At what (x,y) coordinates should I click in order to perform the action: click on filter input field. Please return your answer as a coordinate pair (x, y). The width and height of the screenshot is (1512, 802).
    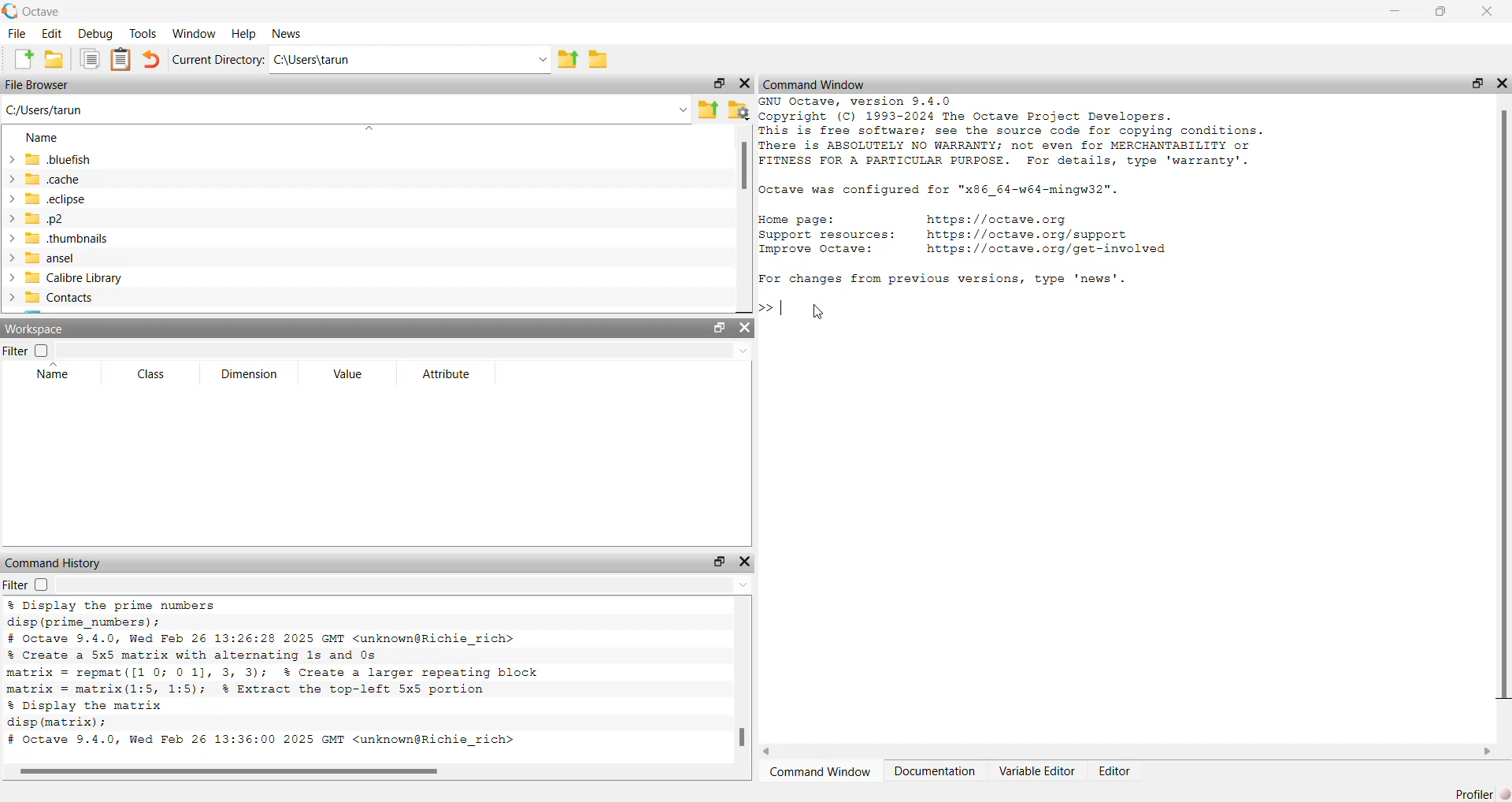
    Looking at the image, I should click on (409, 351).